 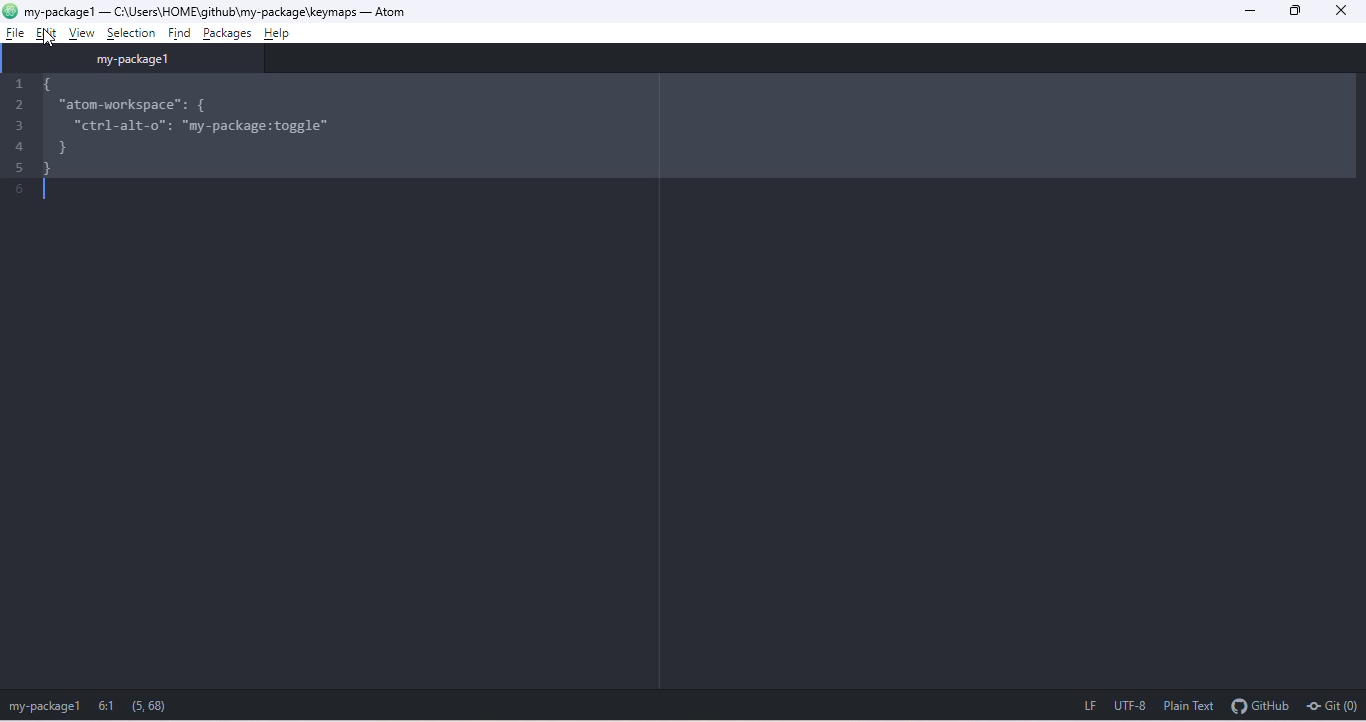 I want to click on line number, so click(x=15, y=138).